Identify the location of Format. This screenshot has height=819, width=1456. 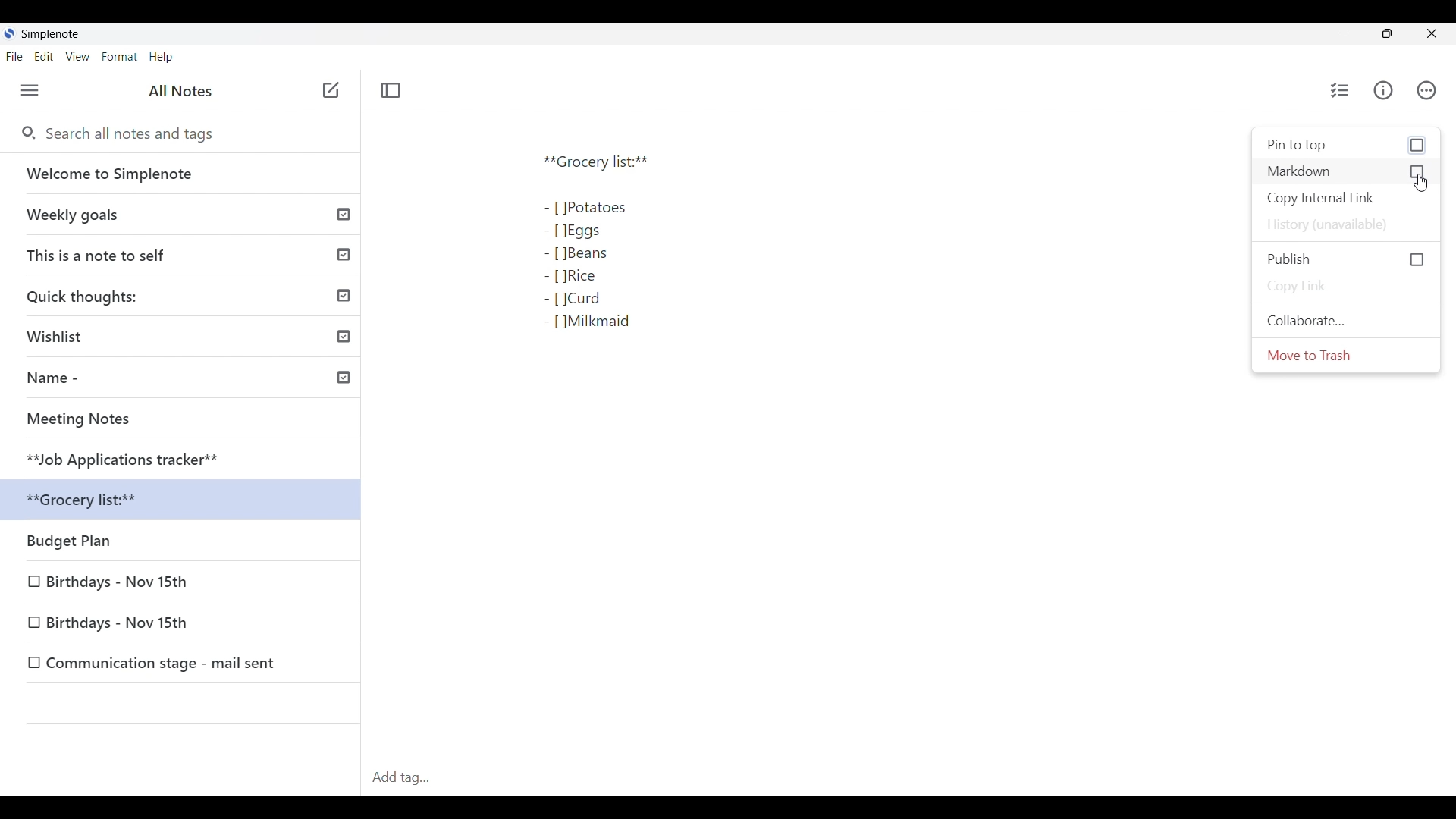
(120, 57).